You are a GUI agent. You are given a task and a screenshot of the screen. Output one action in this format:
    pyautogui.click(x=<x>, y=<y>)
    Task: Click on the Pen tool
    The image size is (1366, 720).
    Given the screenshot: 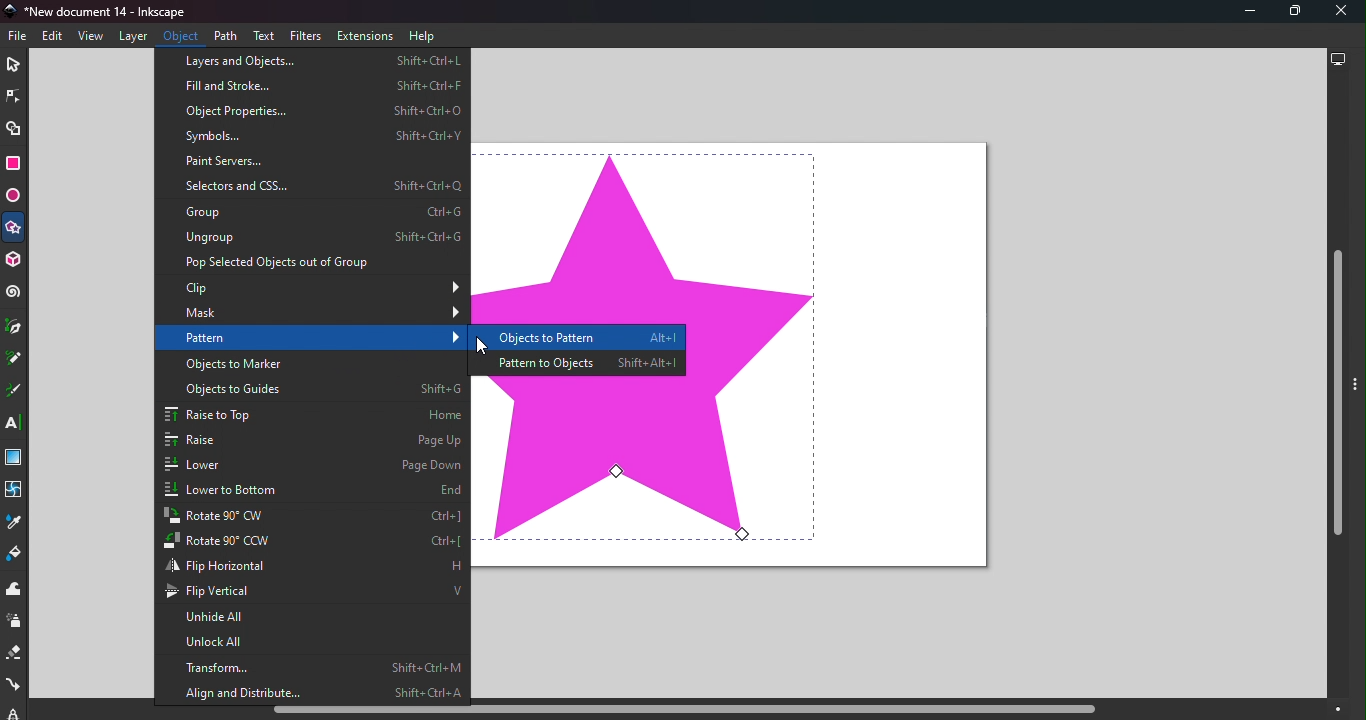 What is the action you would take?
    pyautogui.click(x=15, y=327)
    